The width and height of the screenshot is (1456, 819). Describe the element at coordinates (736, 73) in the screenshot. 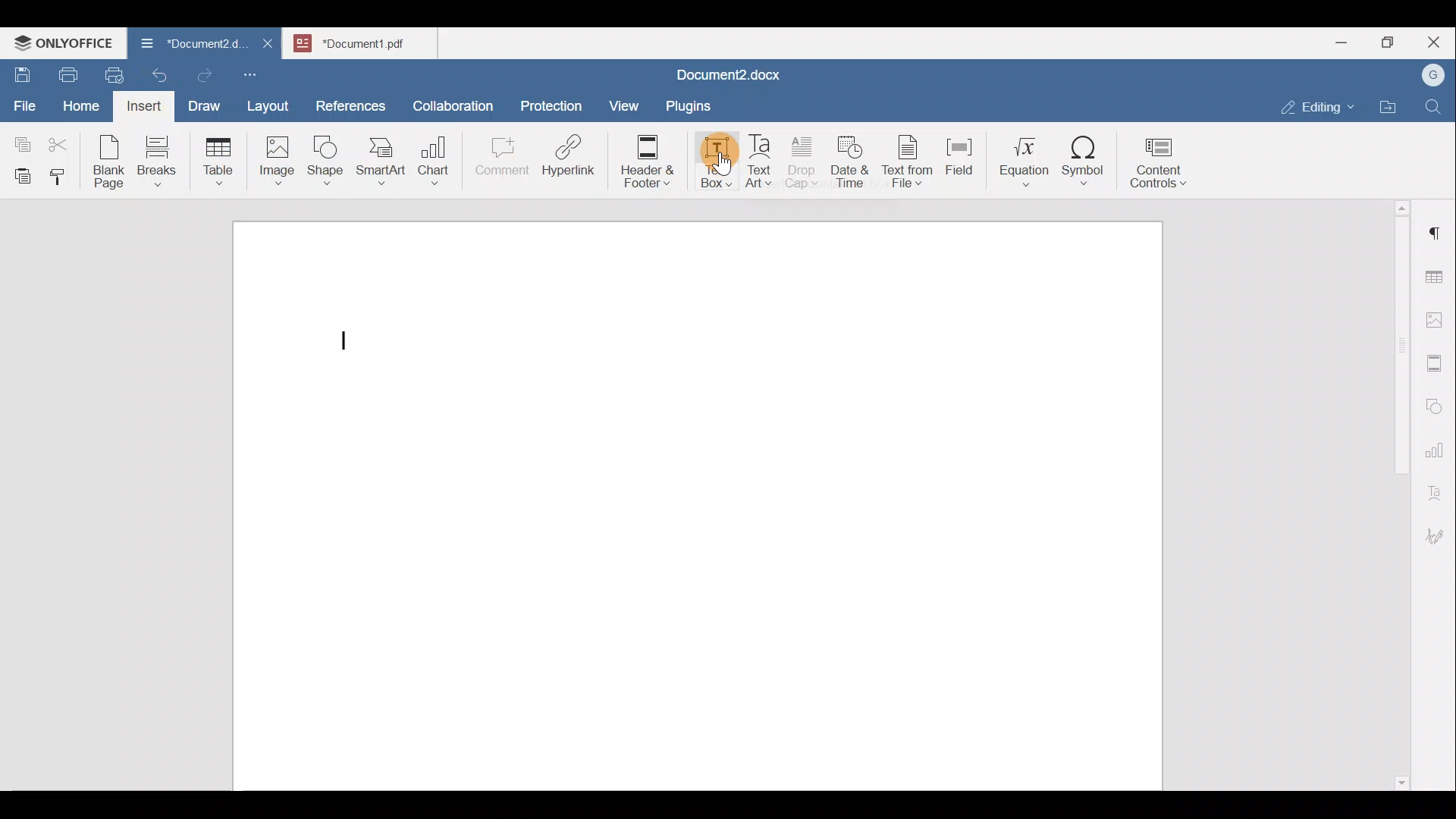

I see `Document2.docx` at that location.